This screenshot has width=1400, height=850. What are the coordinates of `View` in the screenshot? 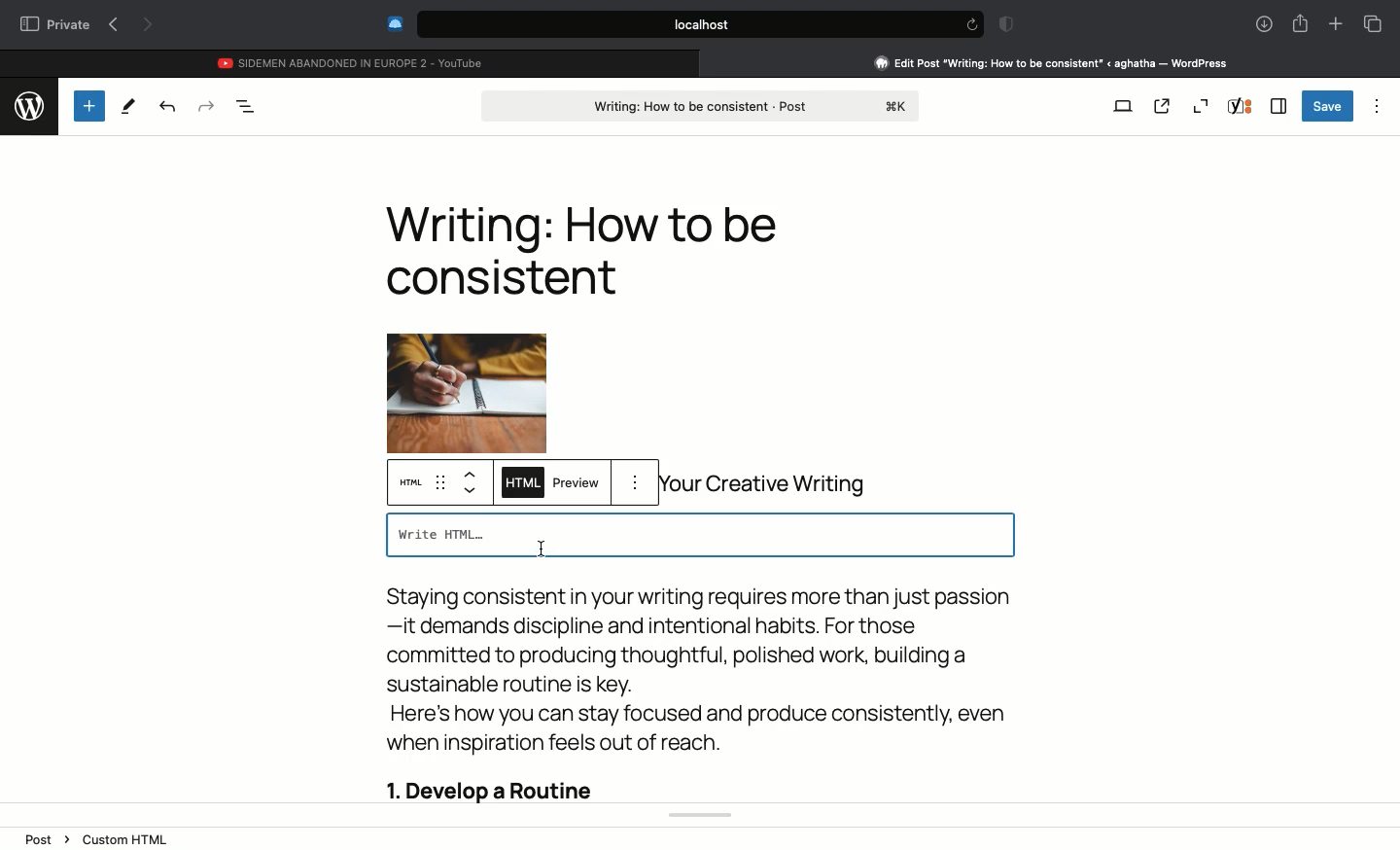 It's located at (1124, 104).